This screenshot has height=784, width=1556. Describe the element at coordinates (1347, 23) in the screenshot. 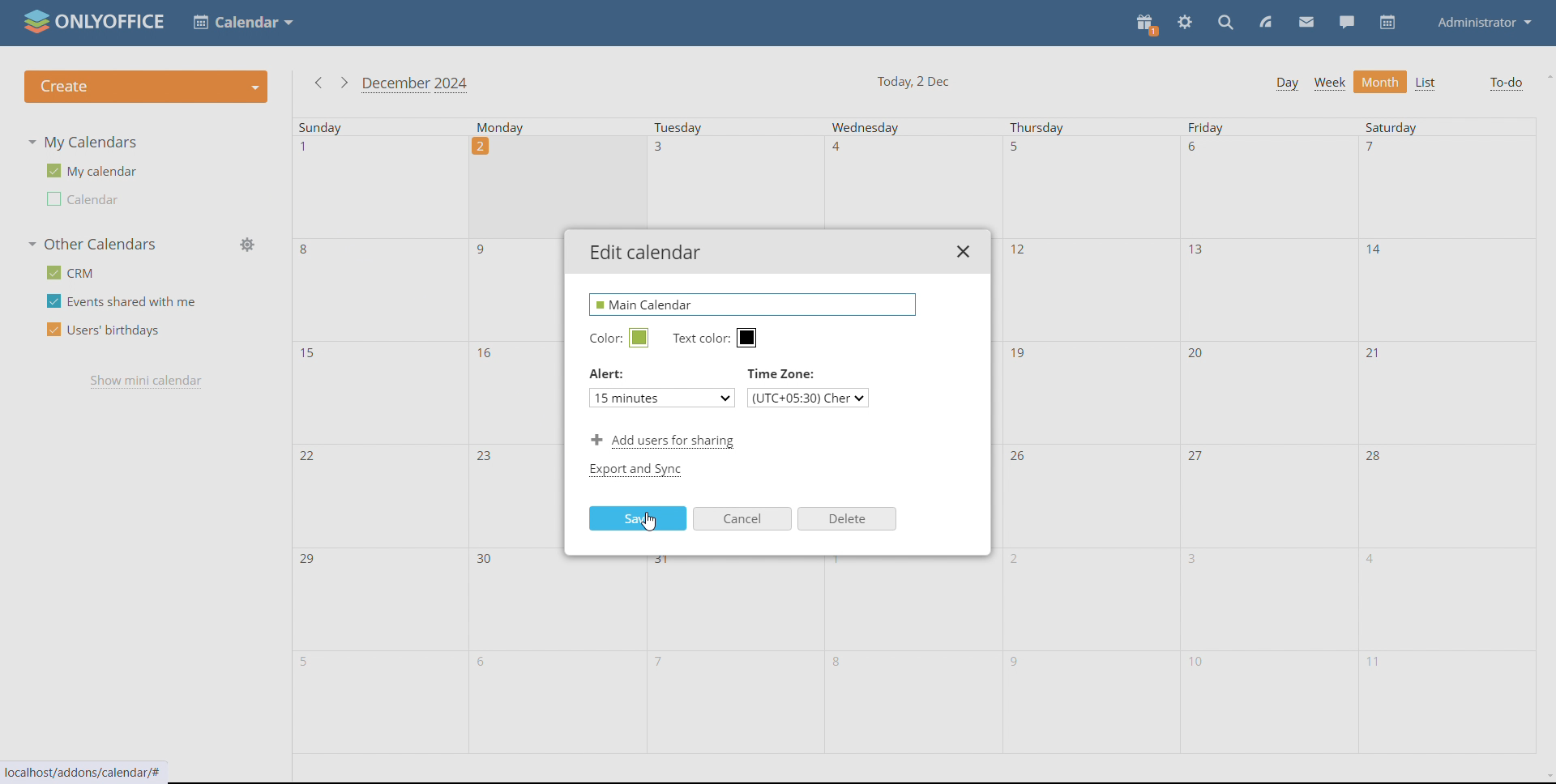

I see `chat` at that location.